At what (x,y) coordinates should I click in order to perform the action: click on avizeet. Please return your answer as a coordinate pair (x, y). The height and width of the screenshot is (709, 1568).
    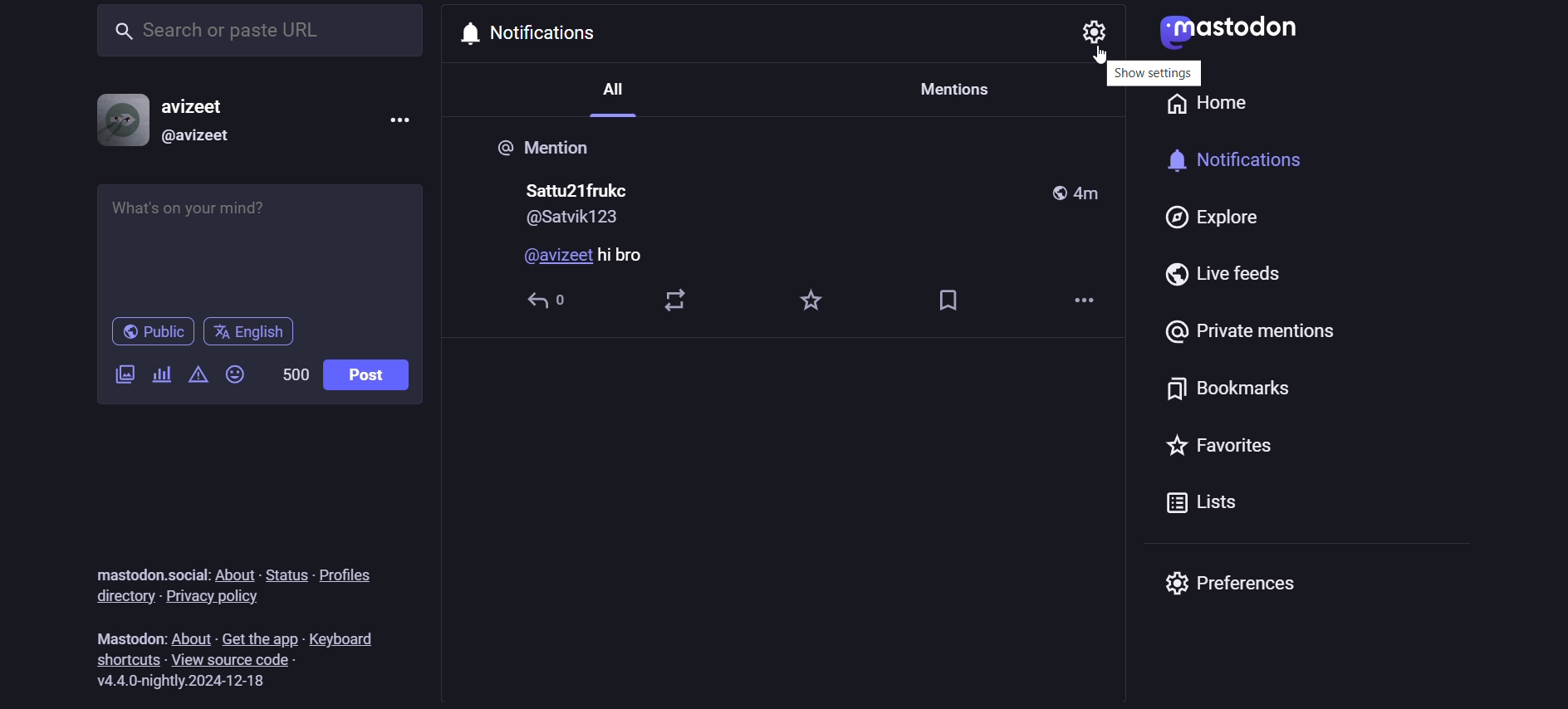
    Looking at the image, I should click on (204, 105).